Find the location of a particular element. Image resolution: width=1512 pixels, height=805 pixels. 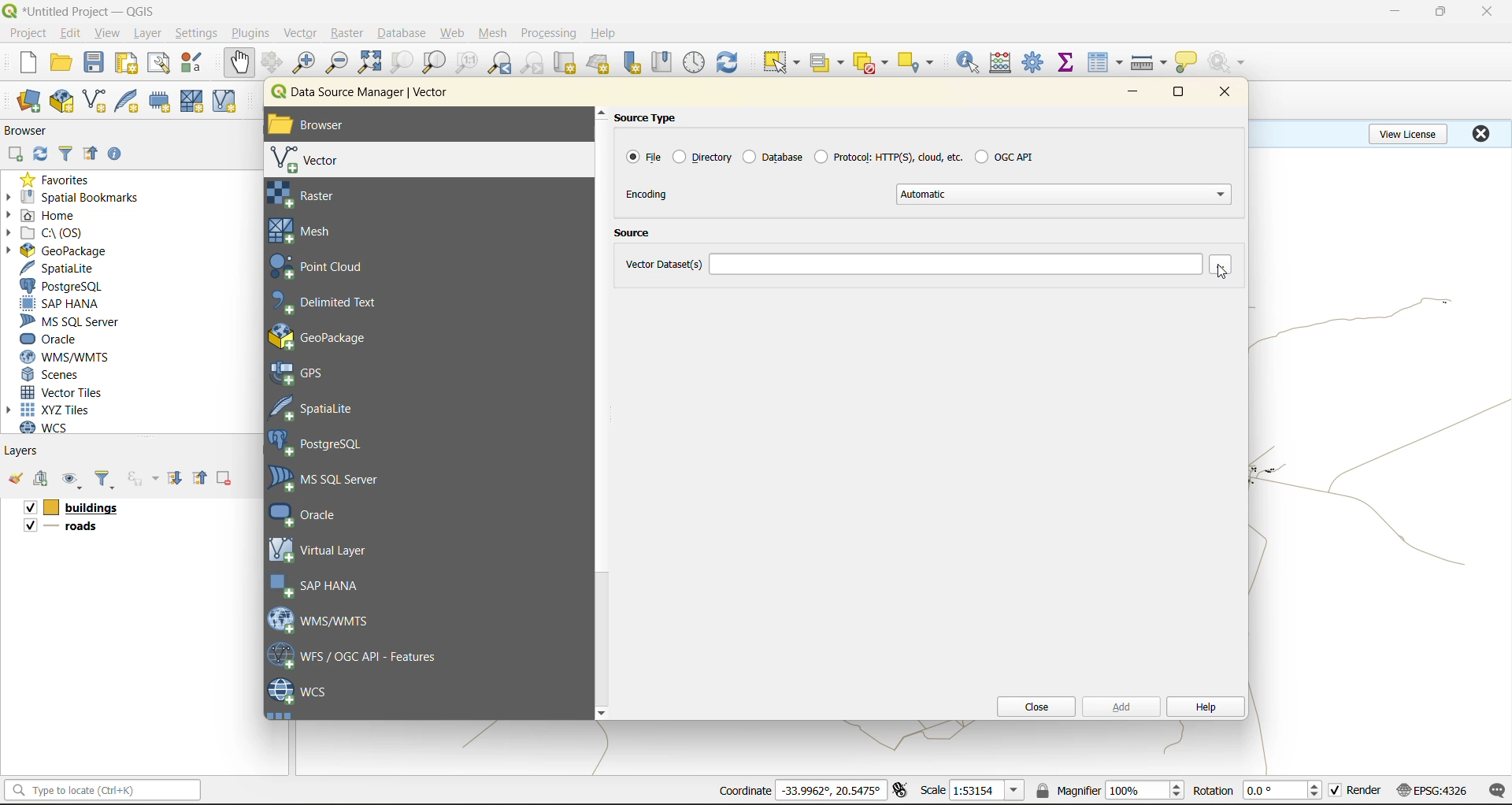

cursor is located at coordinates (1222, 273).